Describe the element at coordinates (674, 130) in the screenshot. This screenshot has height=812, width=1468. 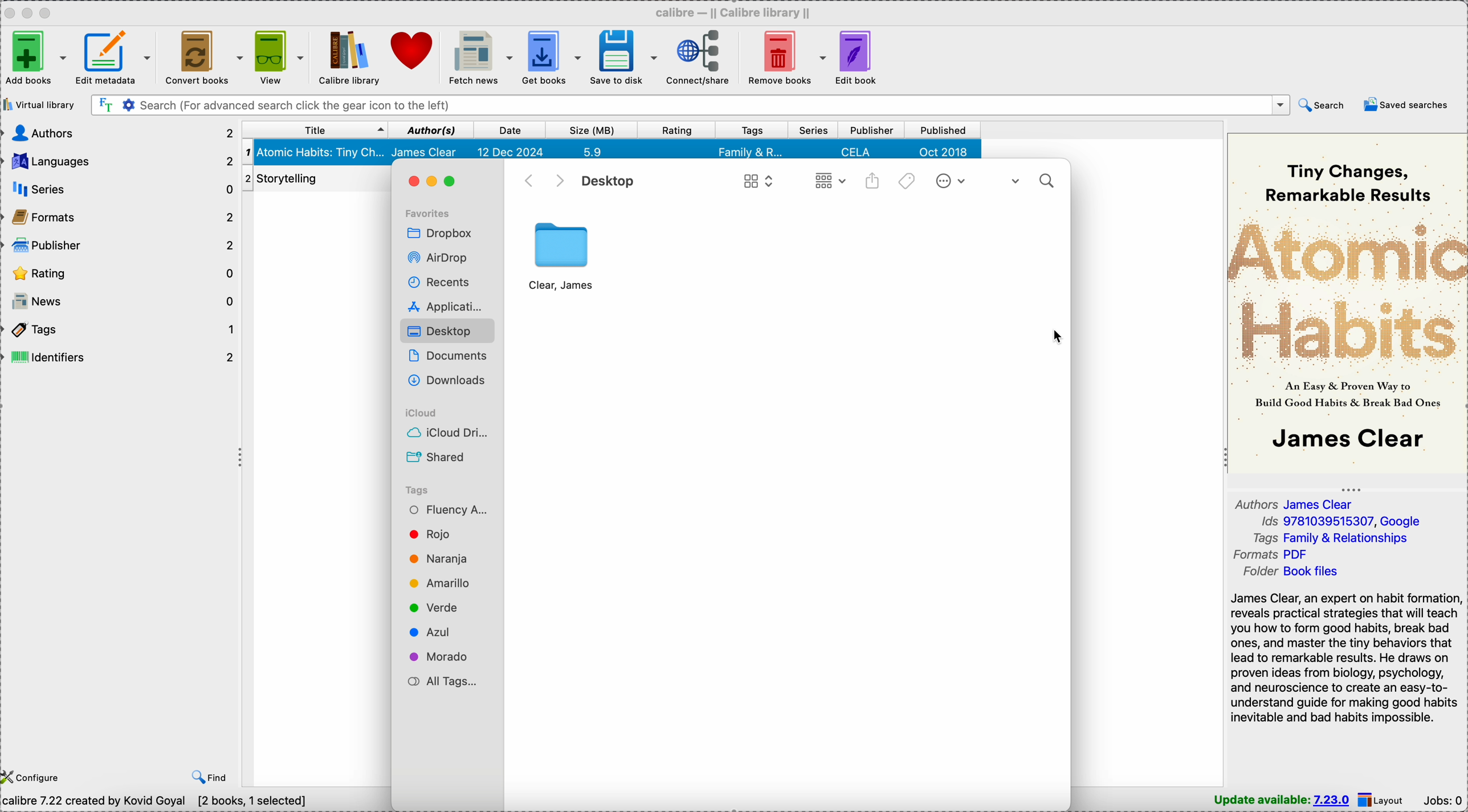
I see `rating` at that location.